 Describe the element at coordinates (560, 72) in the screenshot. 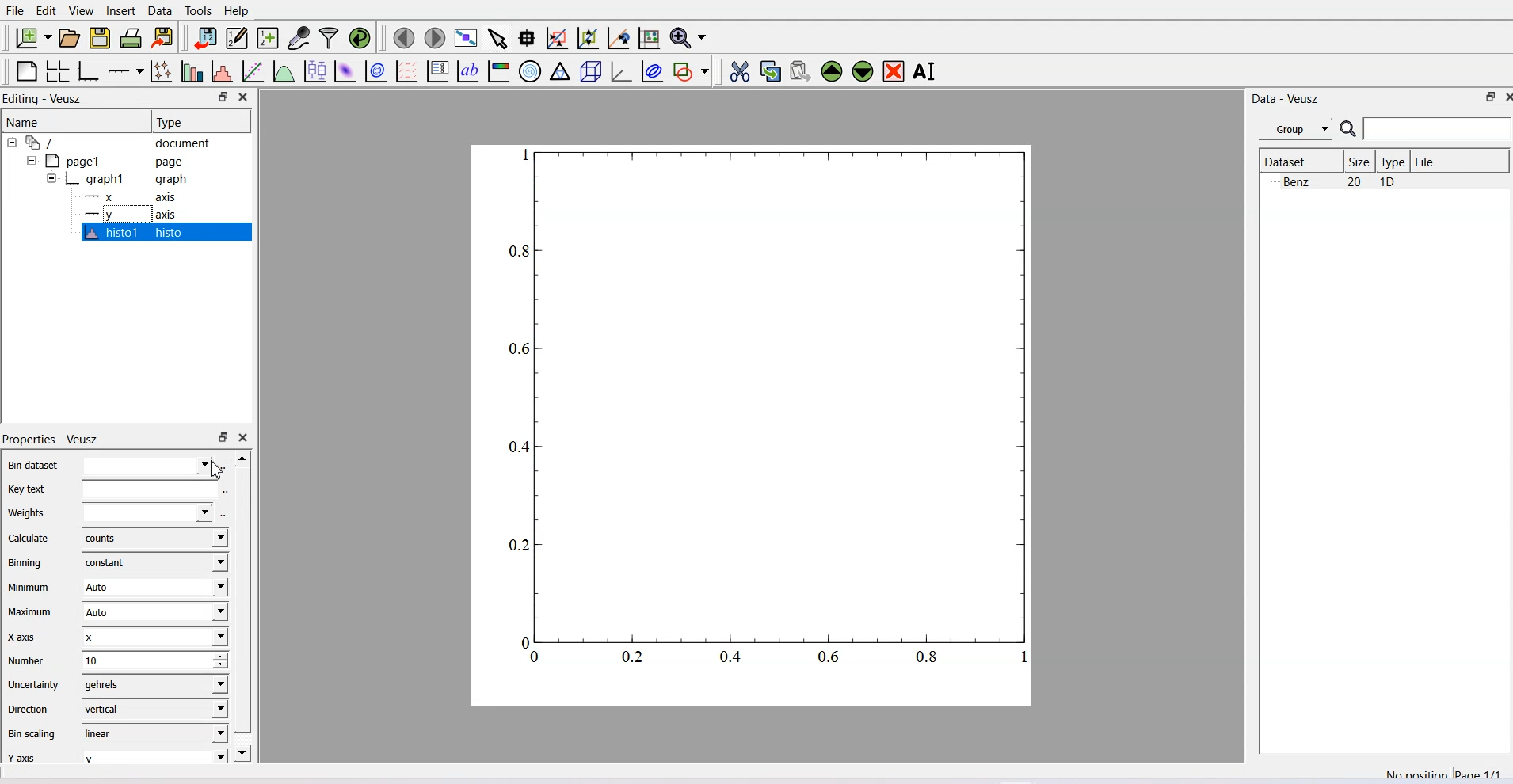

I see `Ternary Graph` at that location.